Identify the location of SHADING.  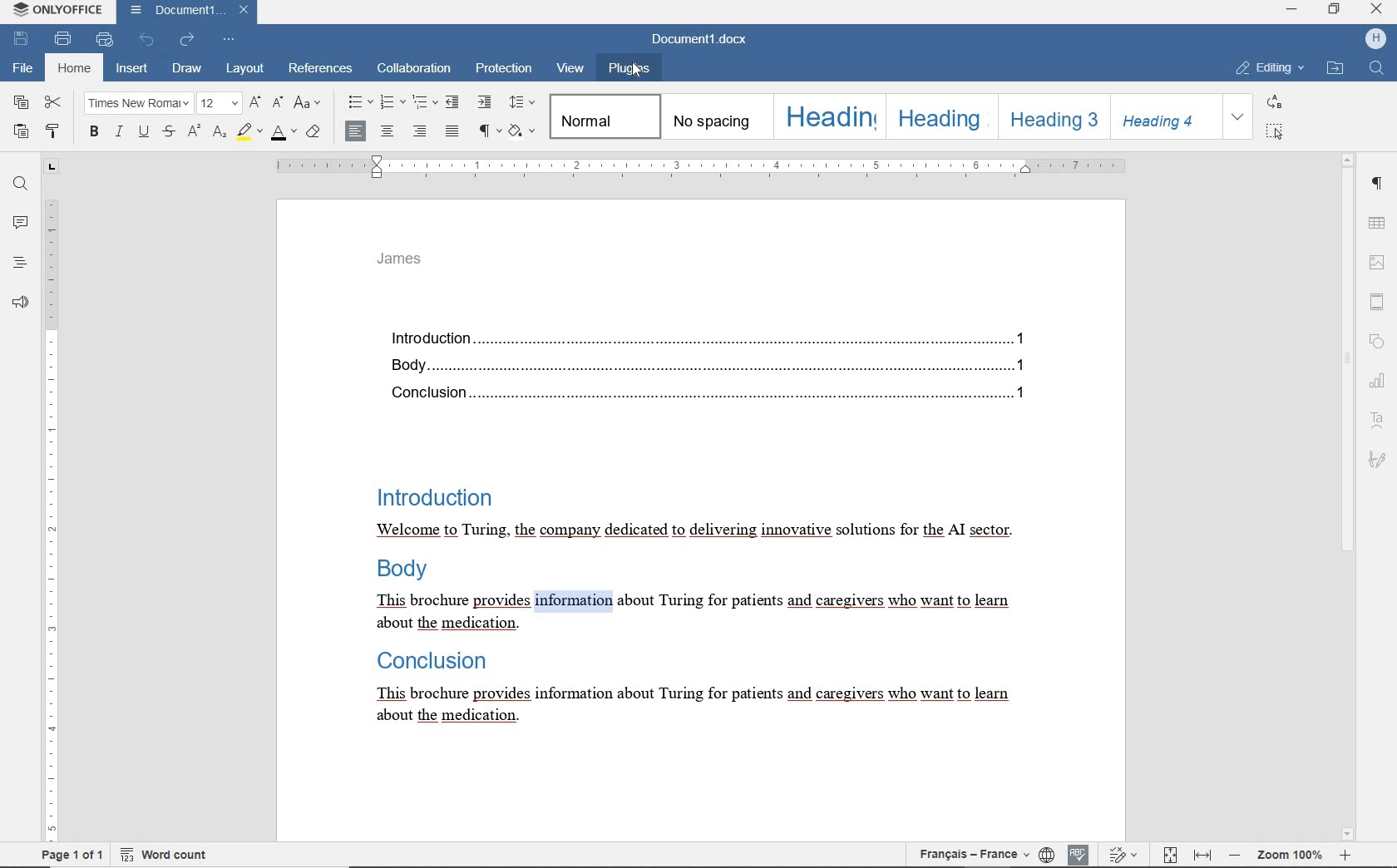
(523, 131).